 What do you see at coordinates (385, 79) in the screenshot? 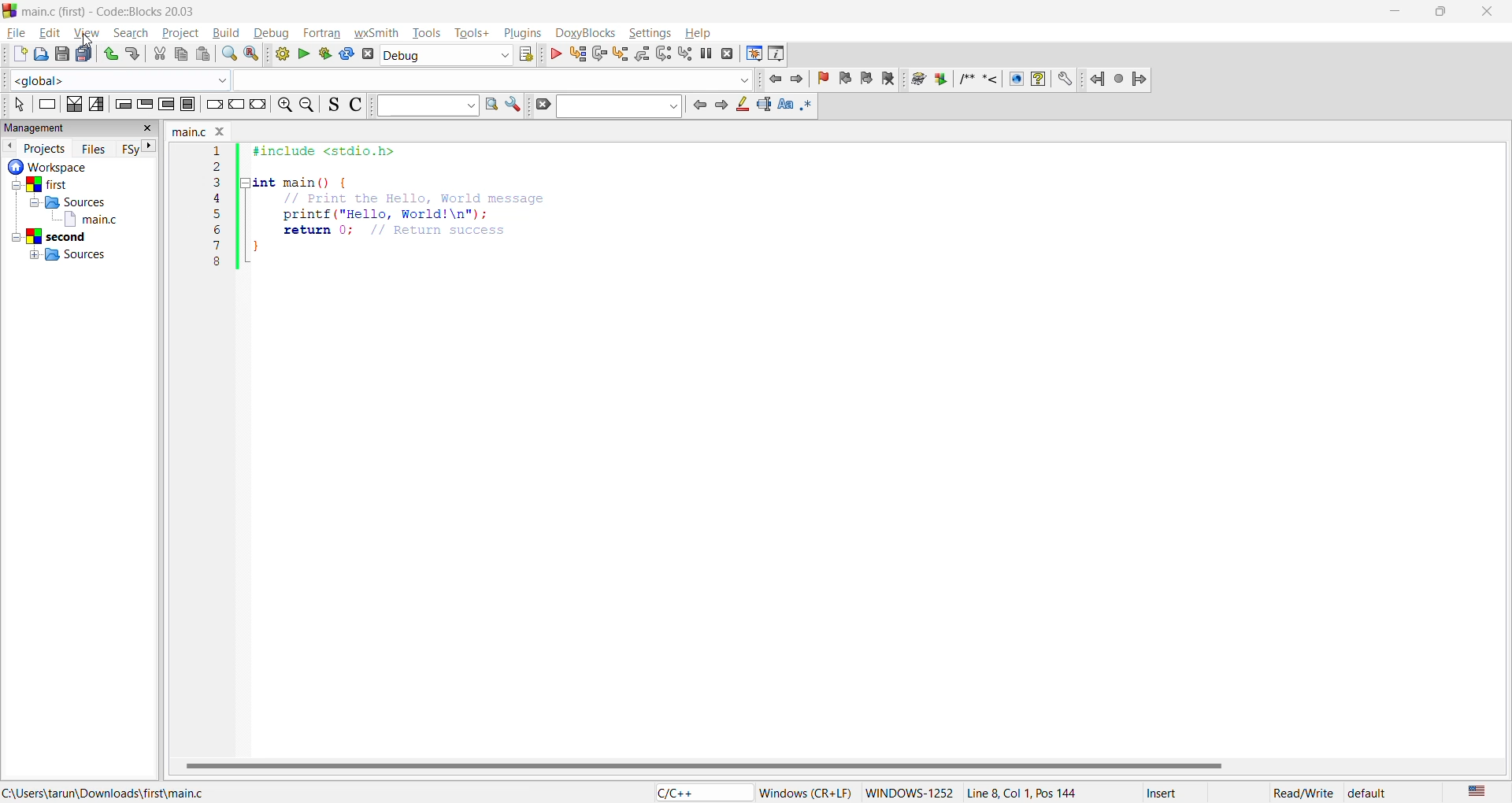
I see `code completion compiler` at bounding box center [385, 79].